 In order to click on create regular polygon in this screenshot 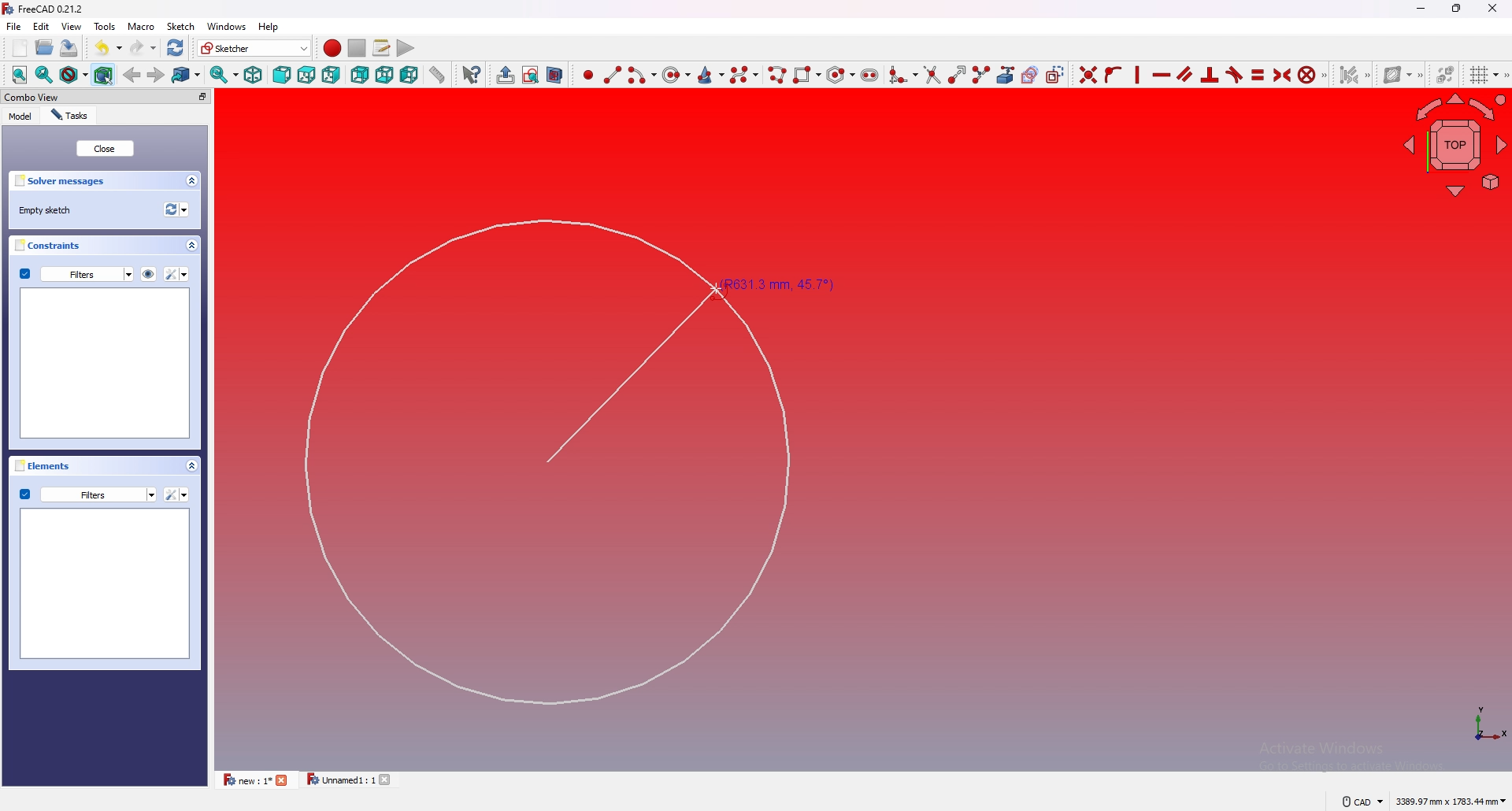, I will do `click(840, 74)`.